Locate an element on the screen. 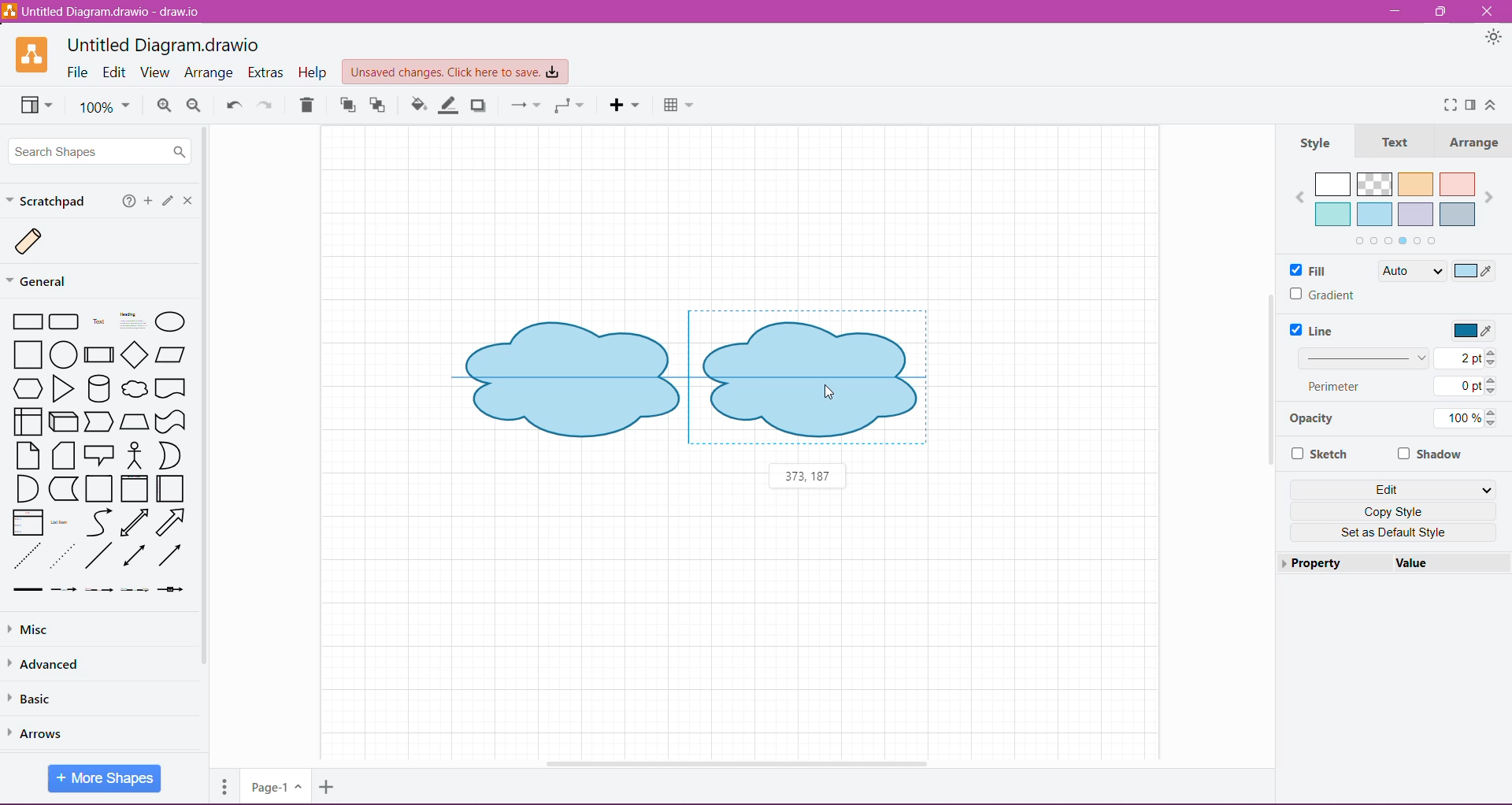 This screenshot has width=1512, height=805. General is located at coordinates (46, 280).